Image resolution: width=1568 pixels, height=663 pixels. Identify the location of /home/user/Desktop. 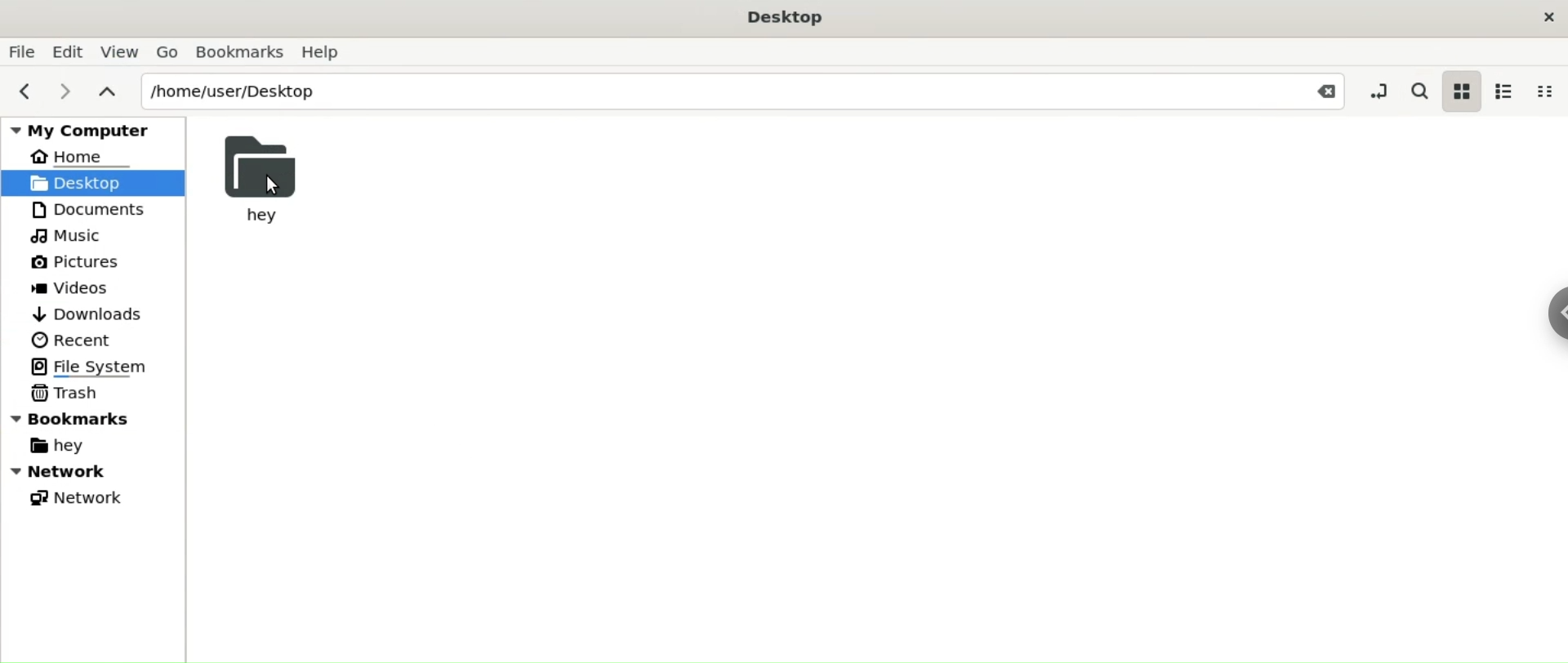
(702, 91).